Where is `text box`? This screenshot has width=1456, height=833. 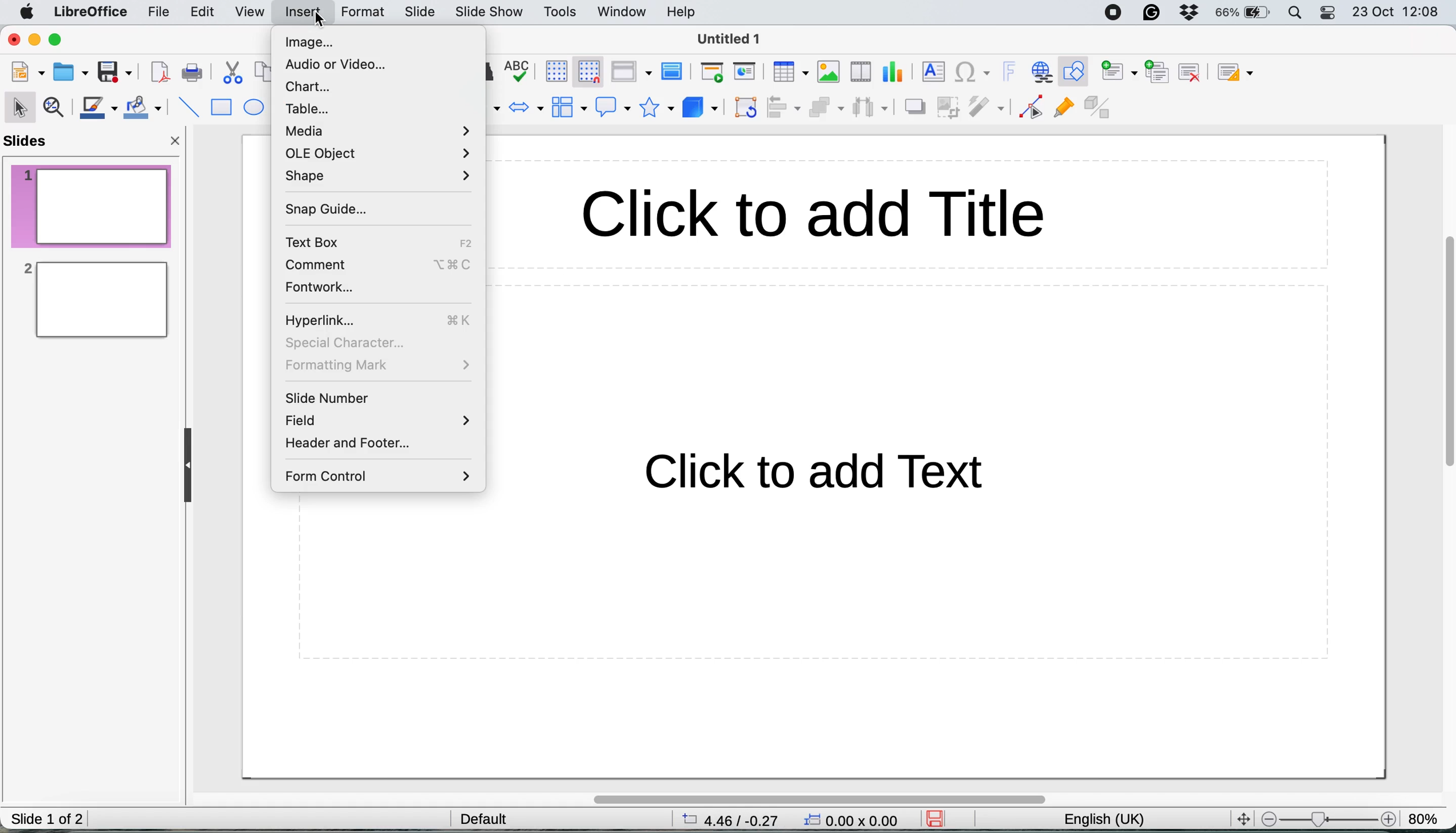
text box is located at coordinates (321, 241).